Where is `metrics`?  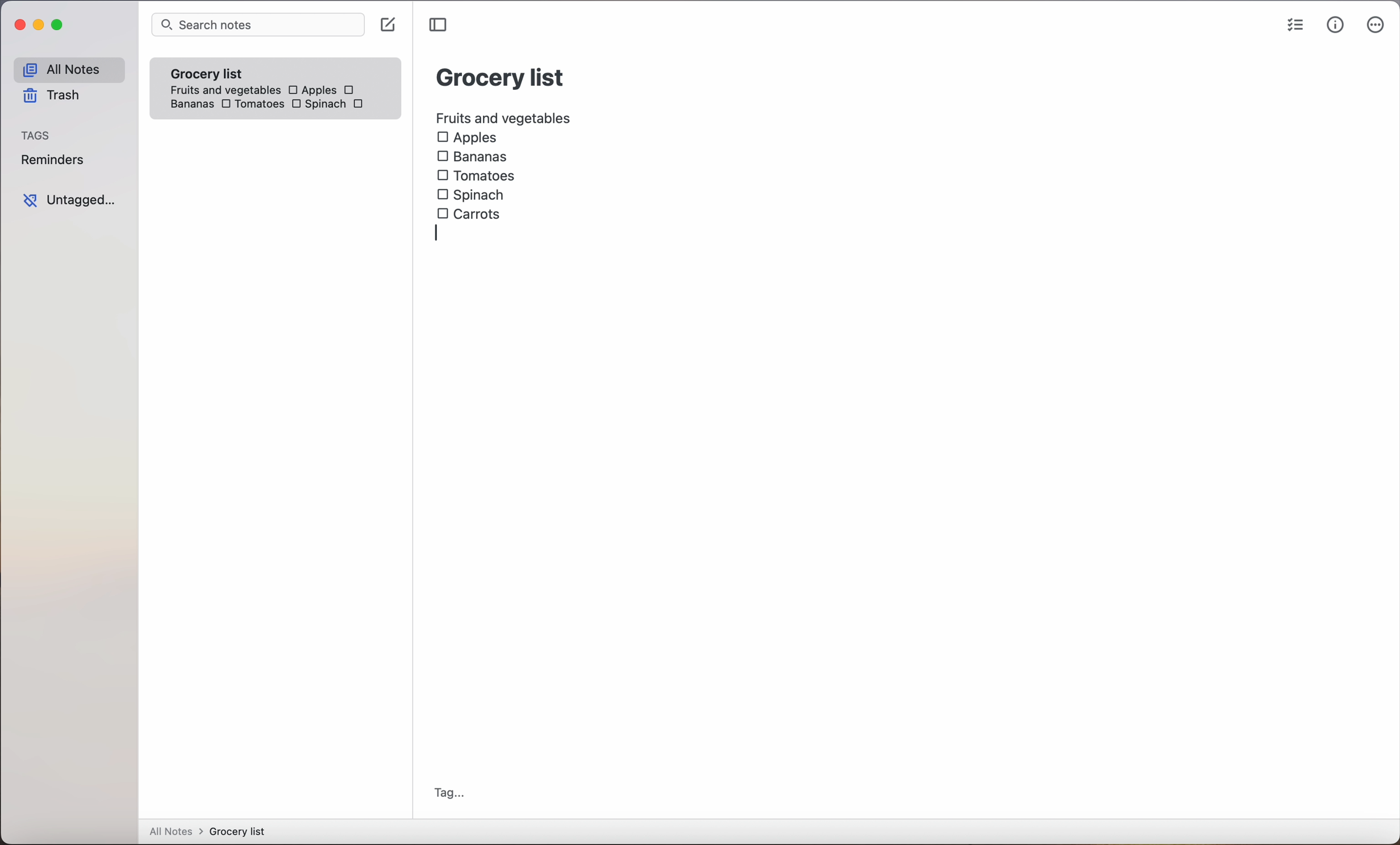 metrics is located at coordinates (1335, 26).